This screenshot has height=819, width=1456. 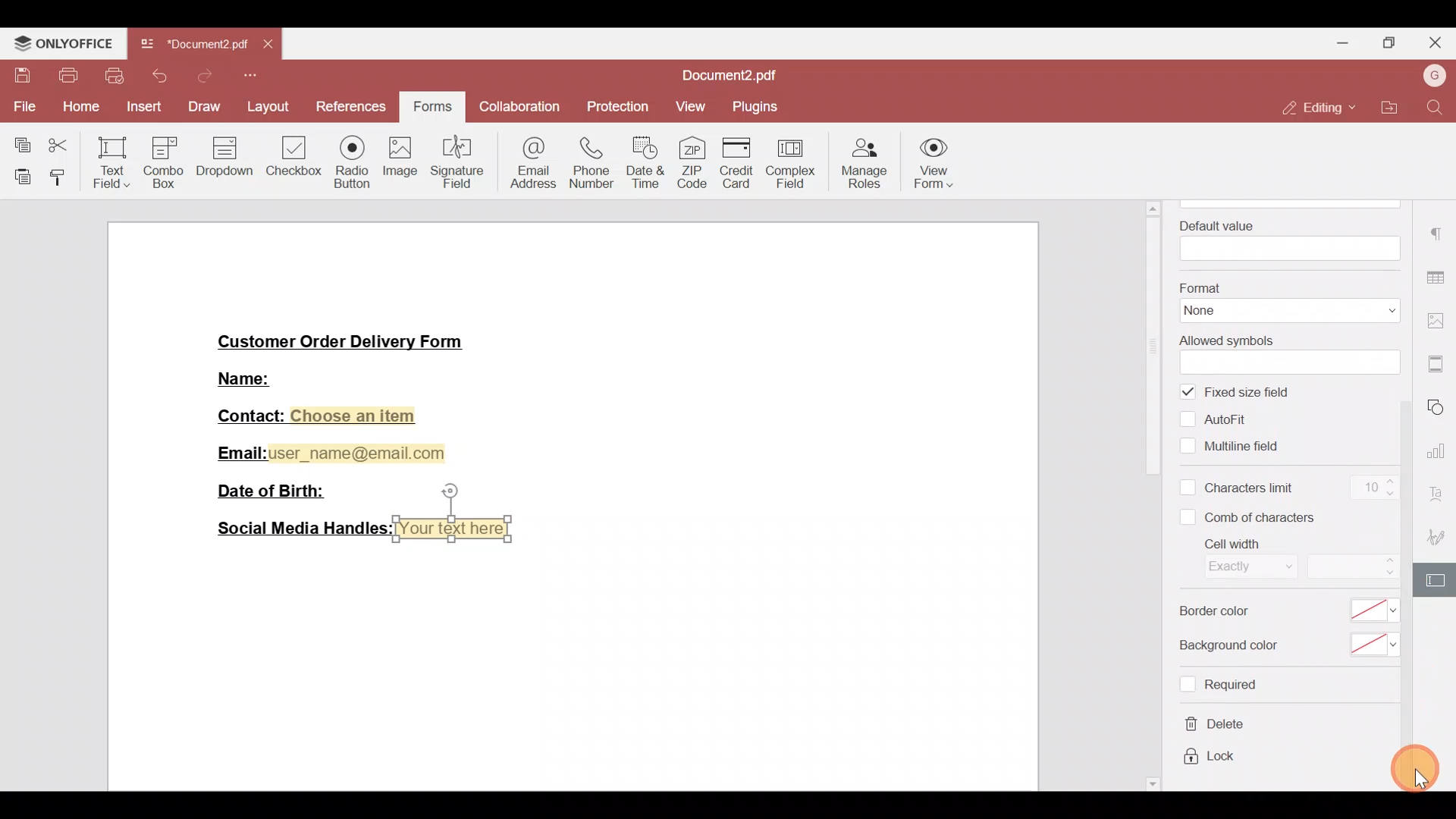 What do you see at coordinates (941, 161) in the screenshot?
I see `View form` at bounding box center [941, 161].